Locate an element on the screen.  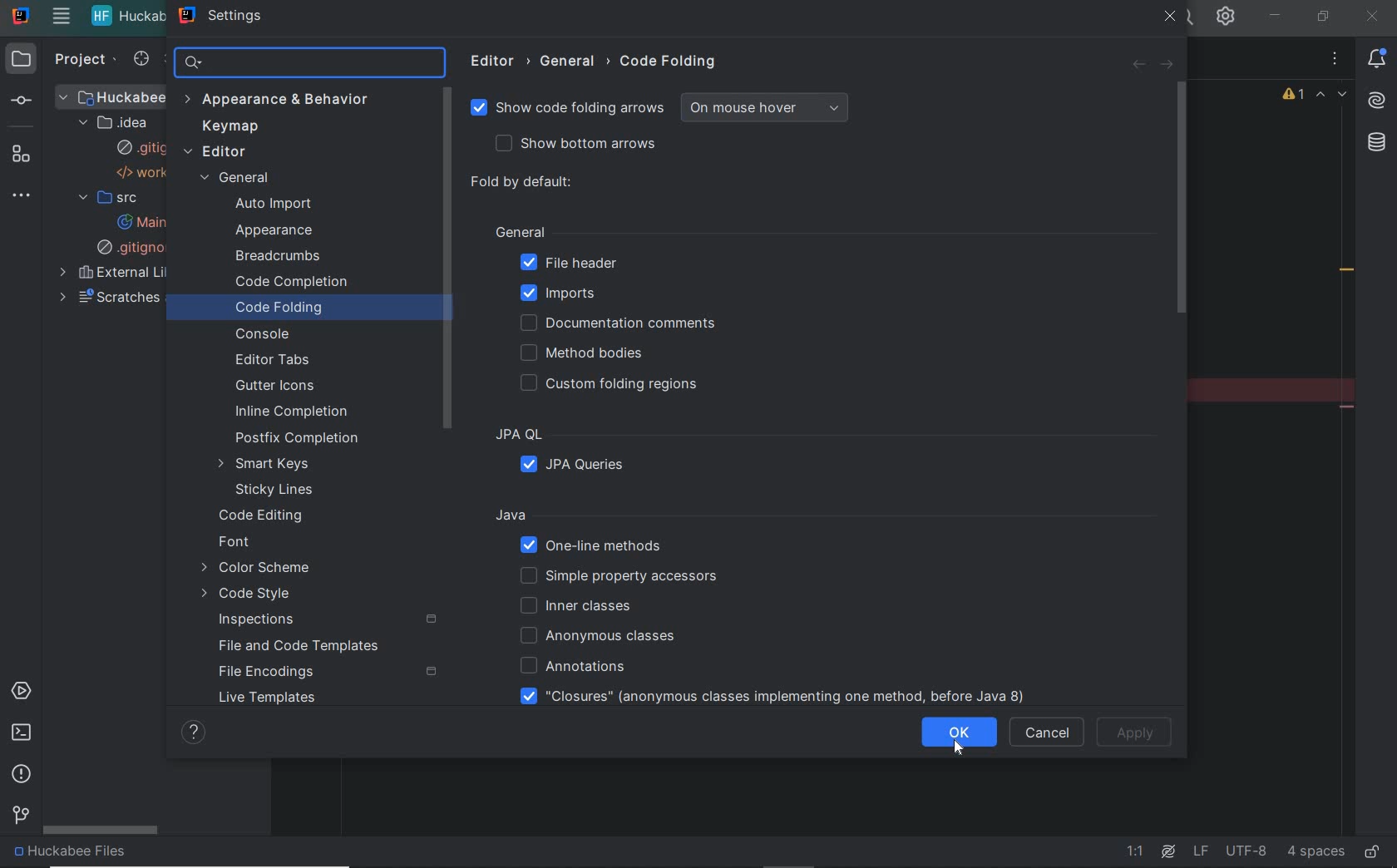
close is located at coordinates (1370, 18).